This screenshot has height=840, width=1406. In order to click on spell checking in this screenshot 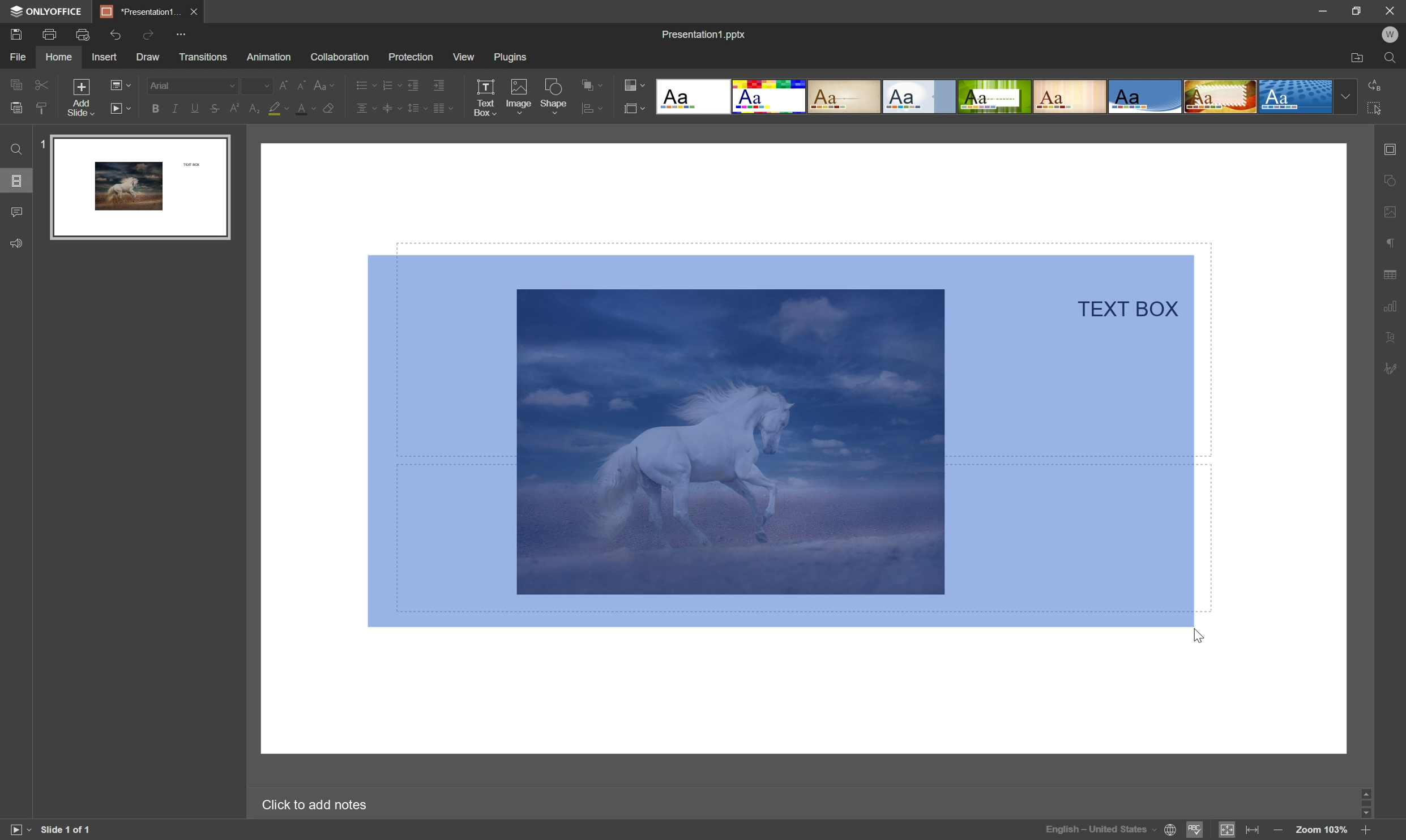, I will do `click(1196, 830)`.